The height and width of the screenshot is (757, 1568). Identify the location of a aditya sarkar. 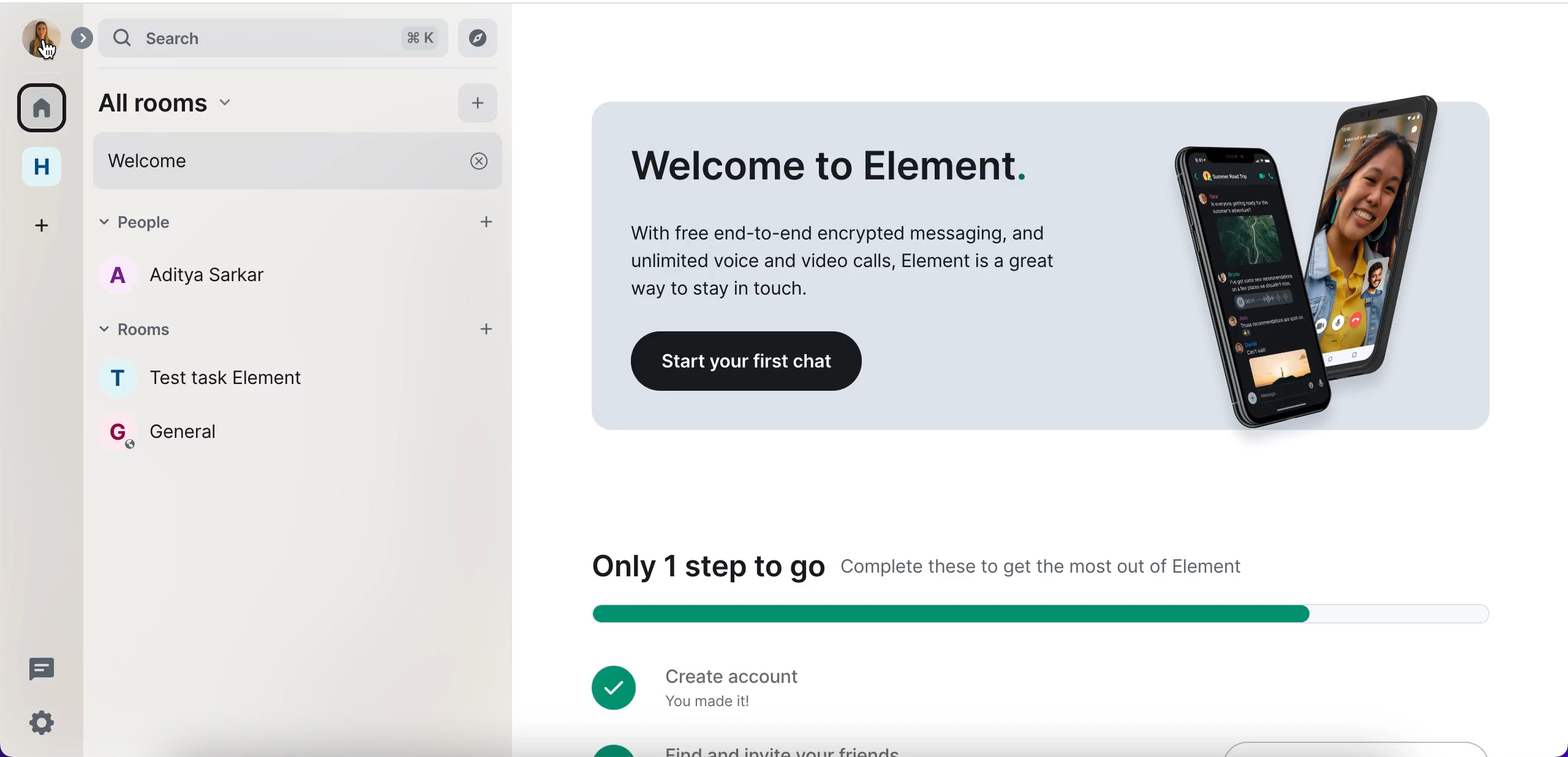
(234, 277).